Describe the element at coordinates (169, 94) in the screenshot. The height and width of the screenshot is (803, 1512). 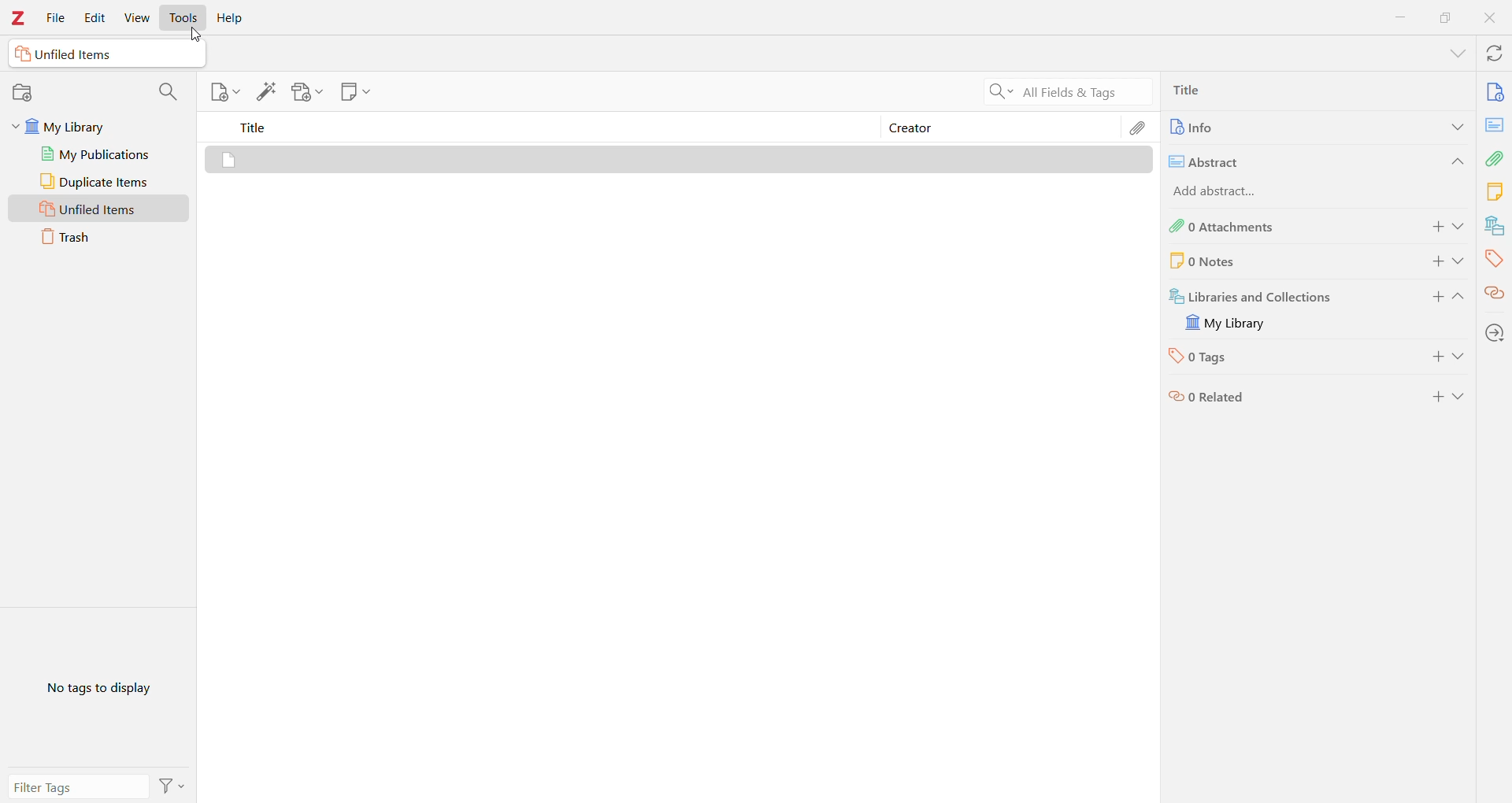
I see `Filter Collections` at that location.